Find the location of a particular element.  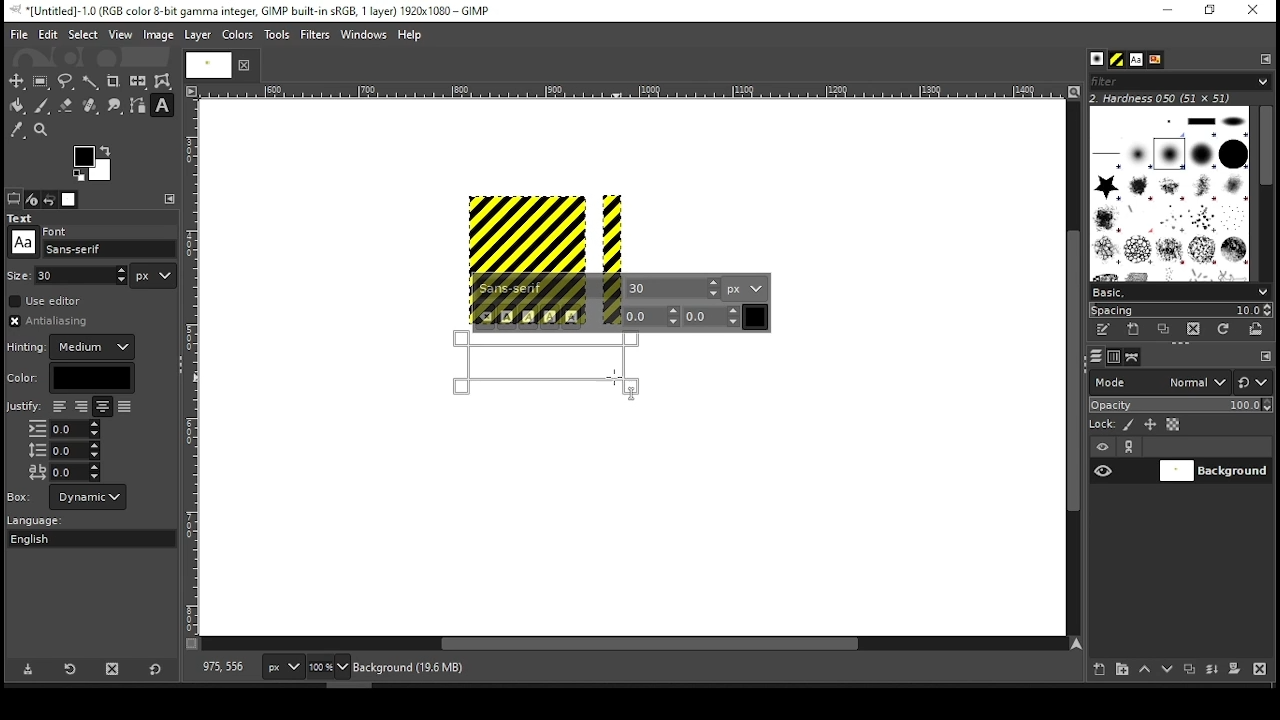

paint bucket tool is located at coordinates (18, 105).